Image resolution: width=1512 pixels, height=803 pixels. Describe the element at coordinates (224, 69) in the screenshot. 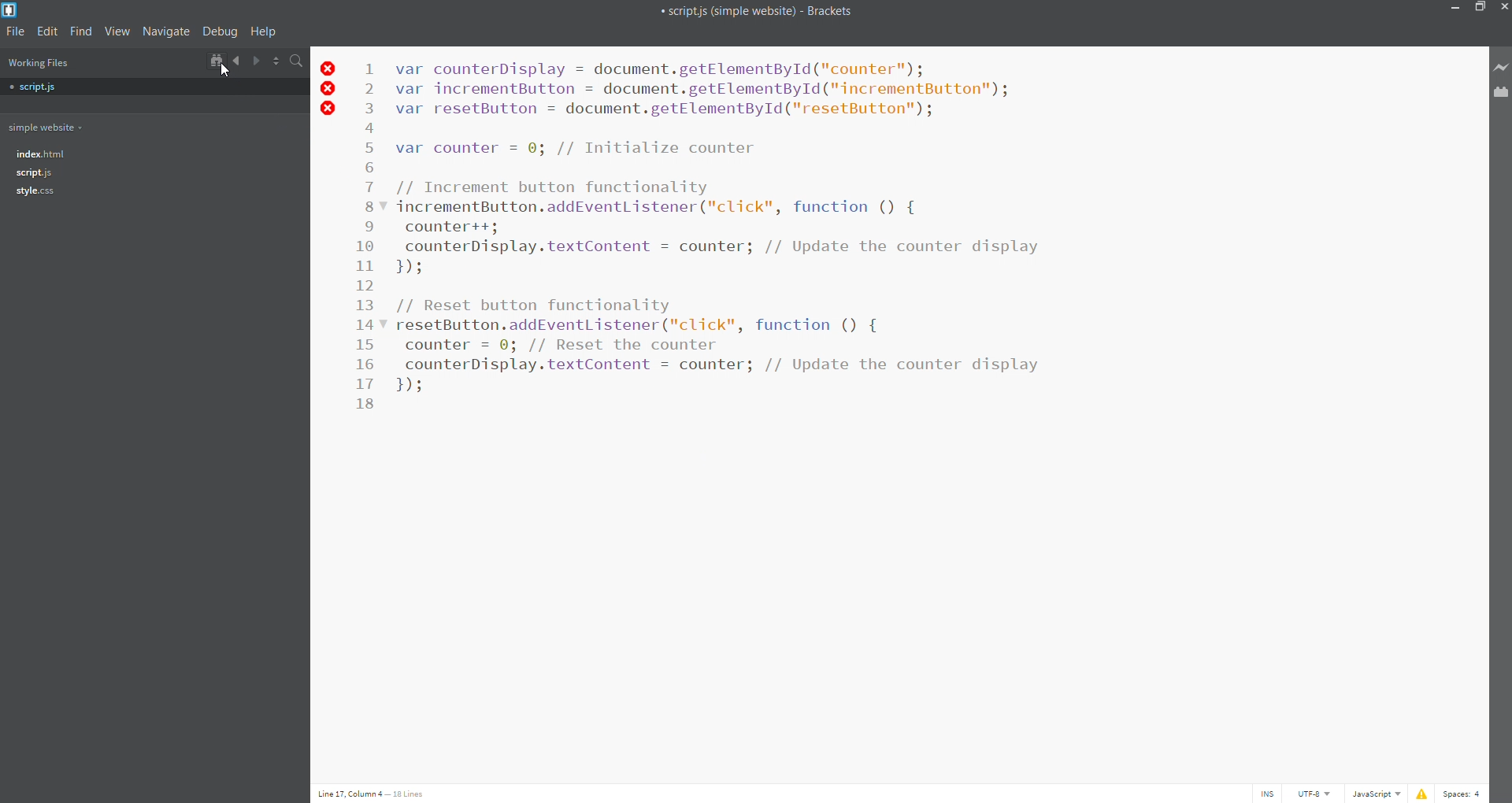

I see `cursor` at that location.